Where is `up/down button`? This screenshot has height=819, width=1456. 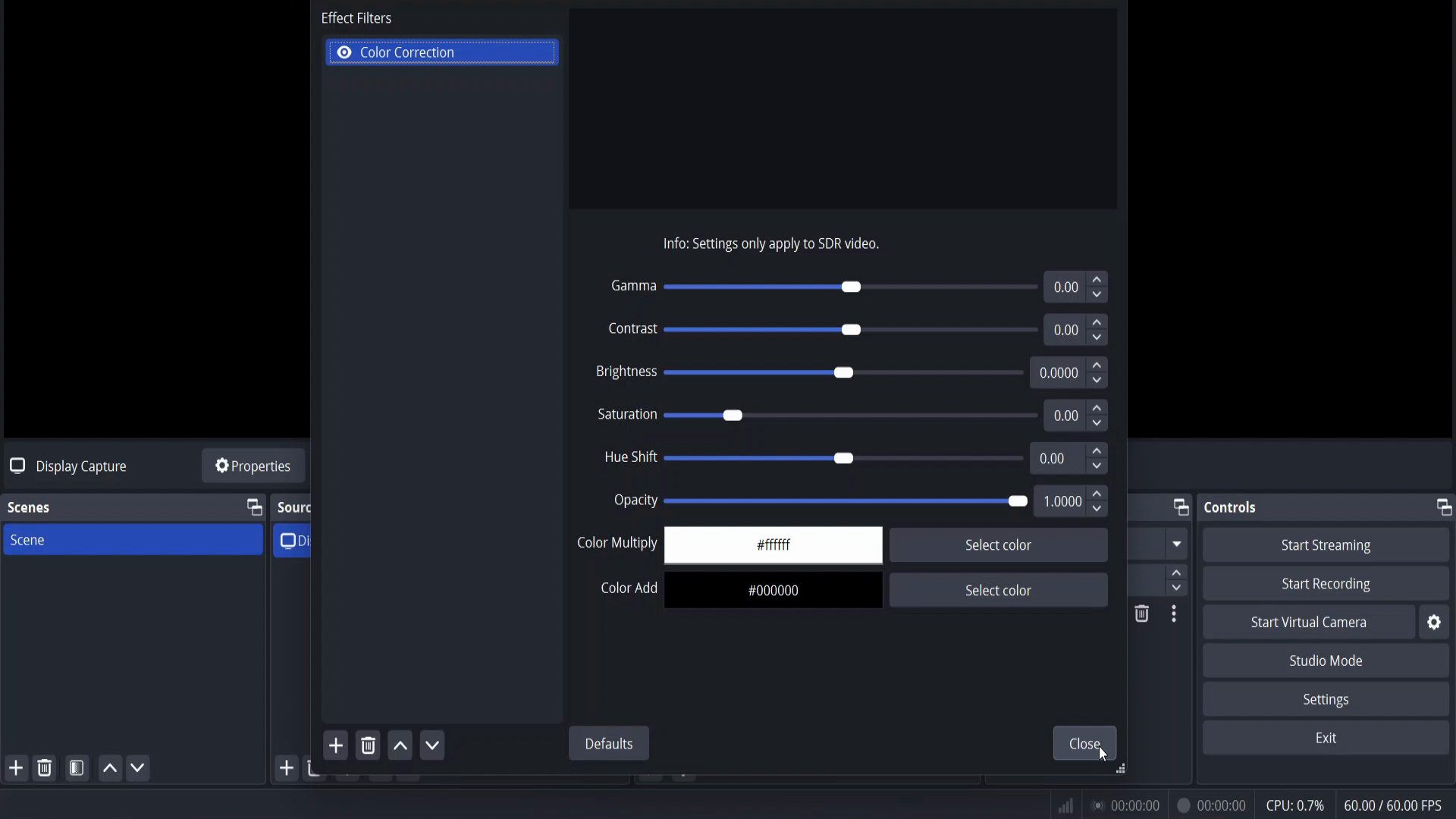
up/down button is located at coordinates (1181, 560).